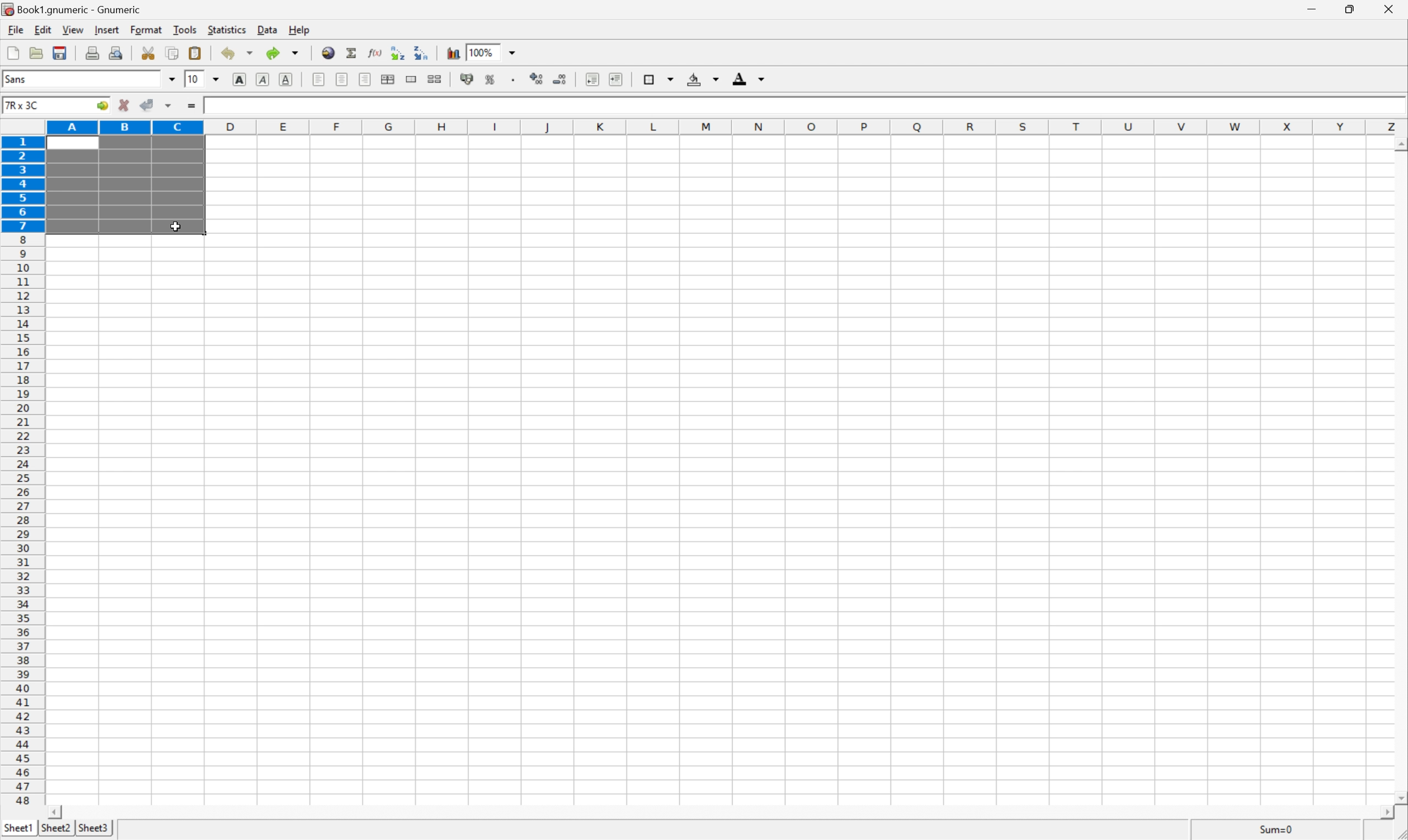 This screenshot has height=840, width=1408. Describe the element at coordinates (72, 9) in the screenshot. I see `book1.gnumeric - Gnumeric` at that location.